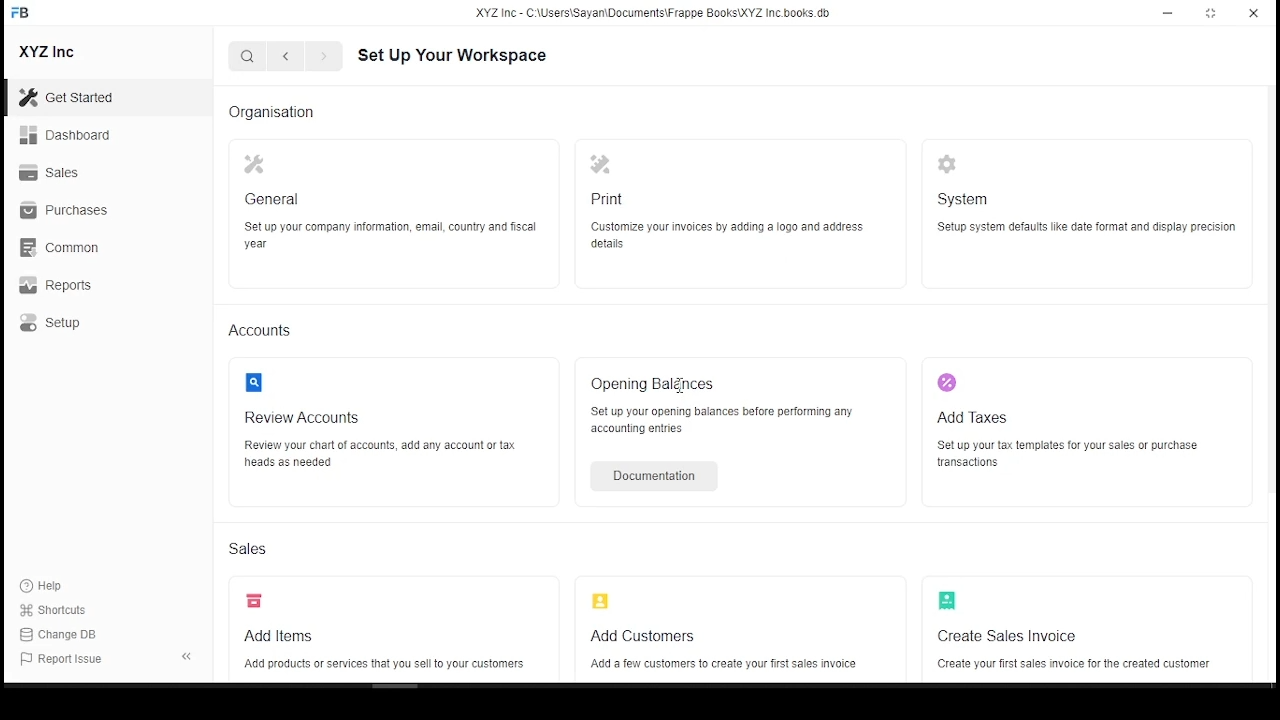  I want to click on logo, so click(604, 600).